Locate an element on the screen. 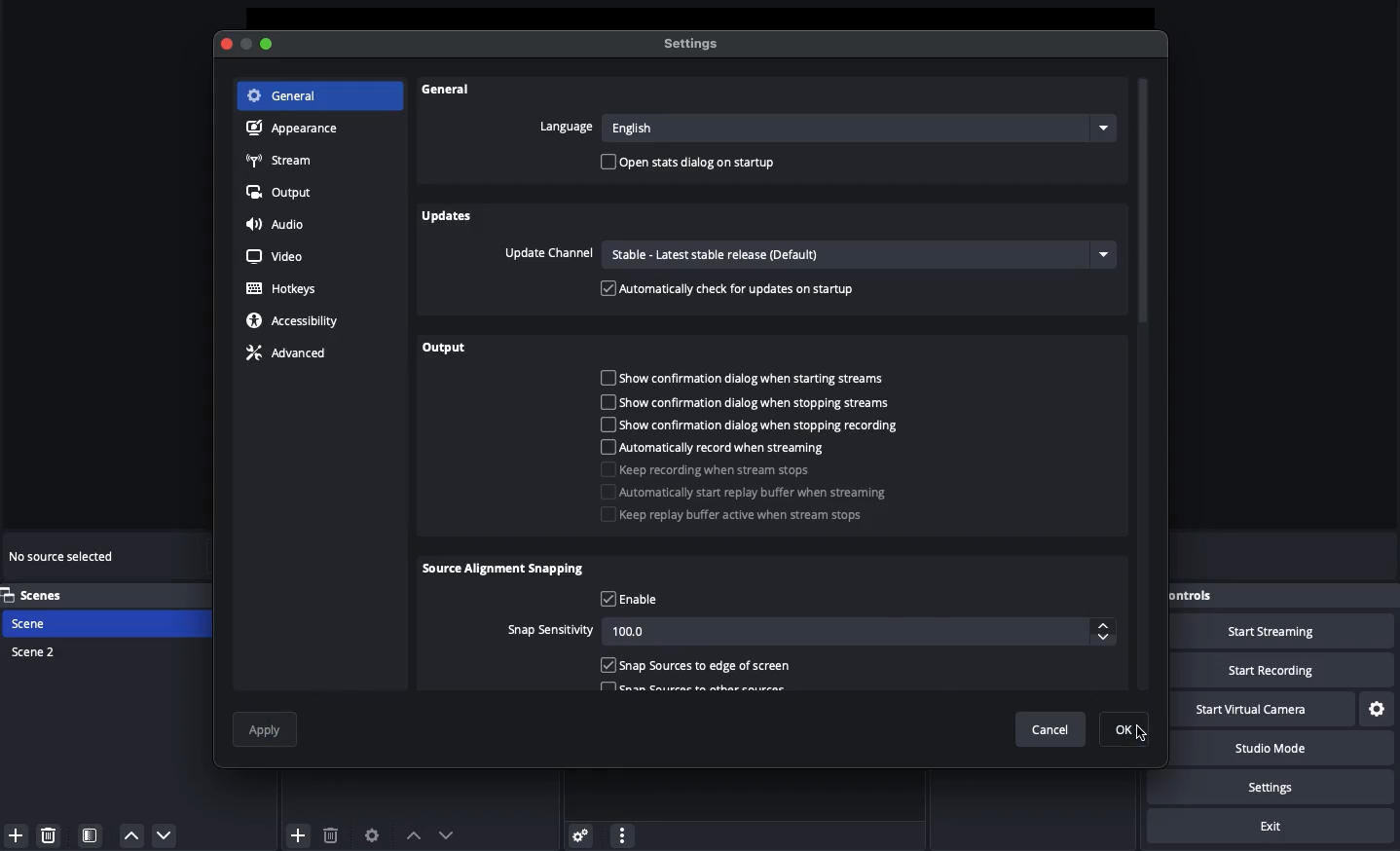 The height and width of the screenshot is (851, 1400). Up is located at coordinates (411, 832).